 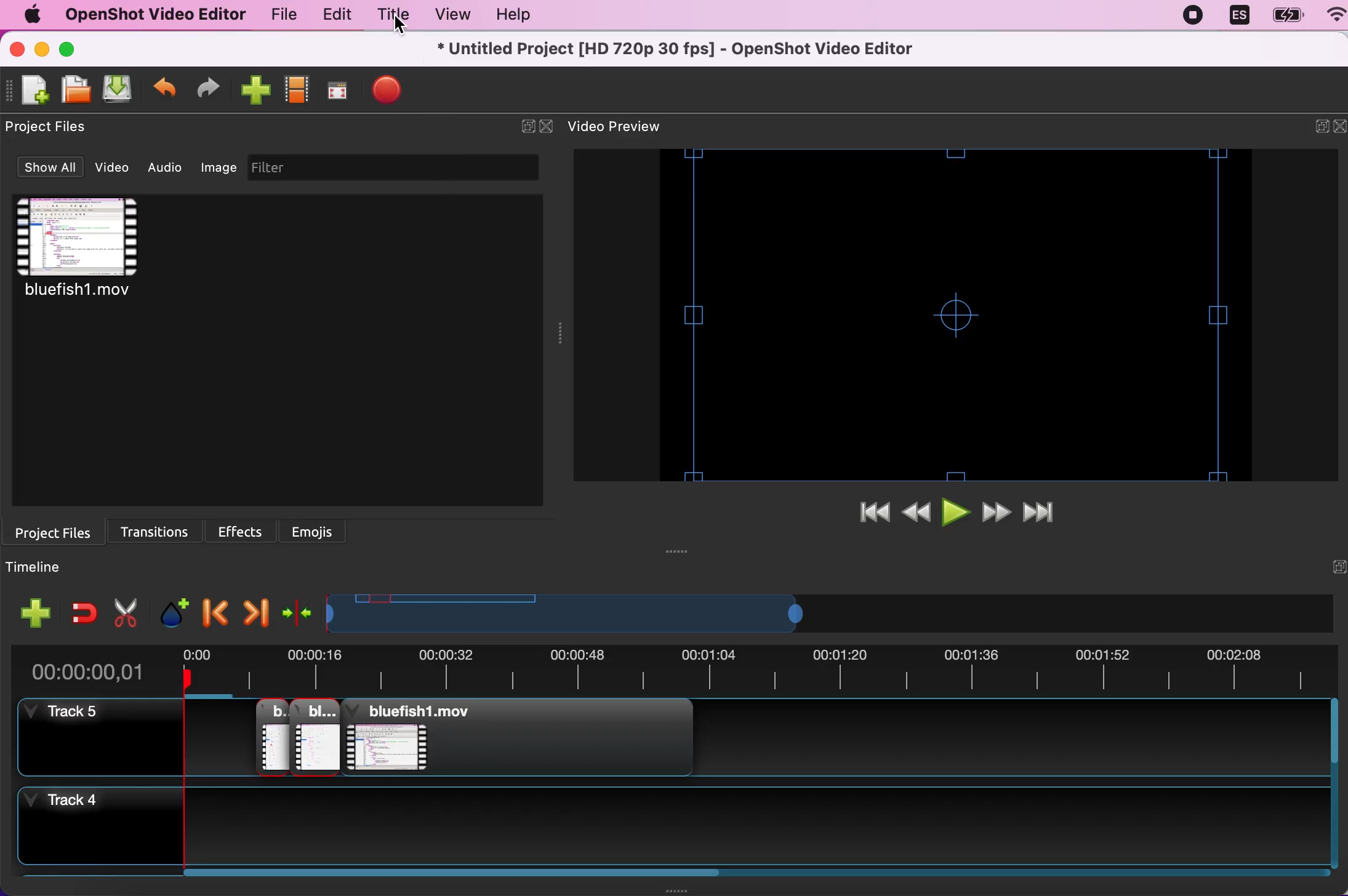 I want to click on project files, so click(x=58, y=531).